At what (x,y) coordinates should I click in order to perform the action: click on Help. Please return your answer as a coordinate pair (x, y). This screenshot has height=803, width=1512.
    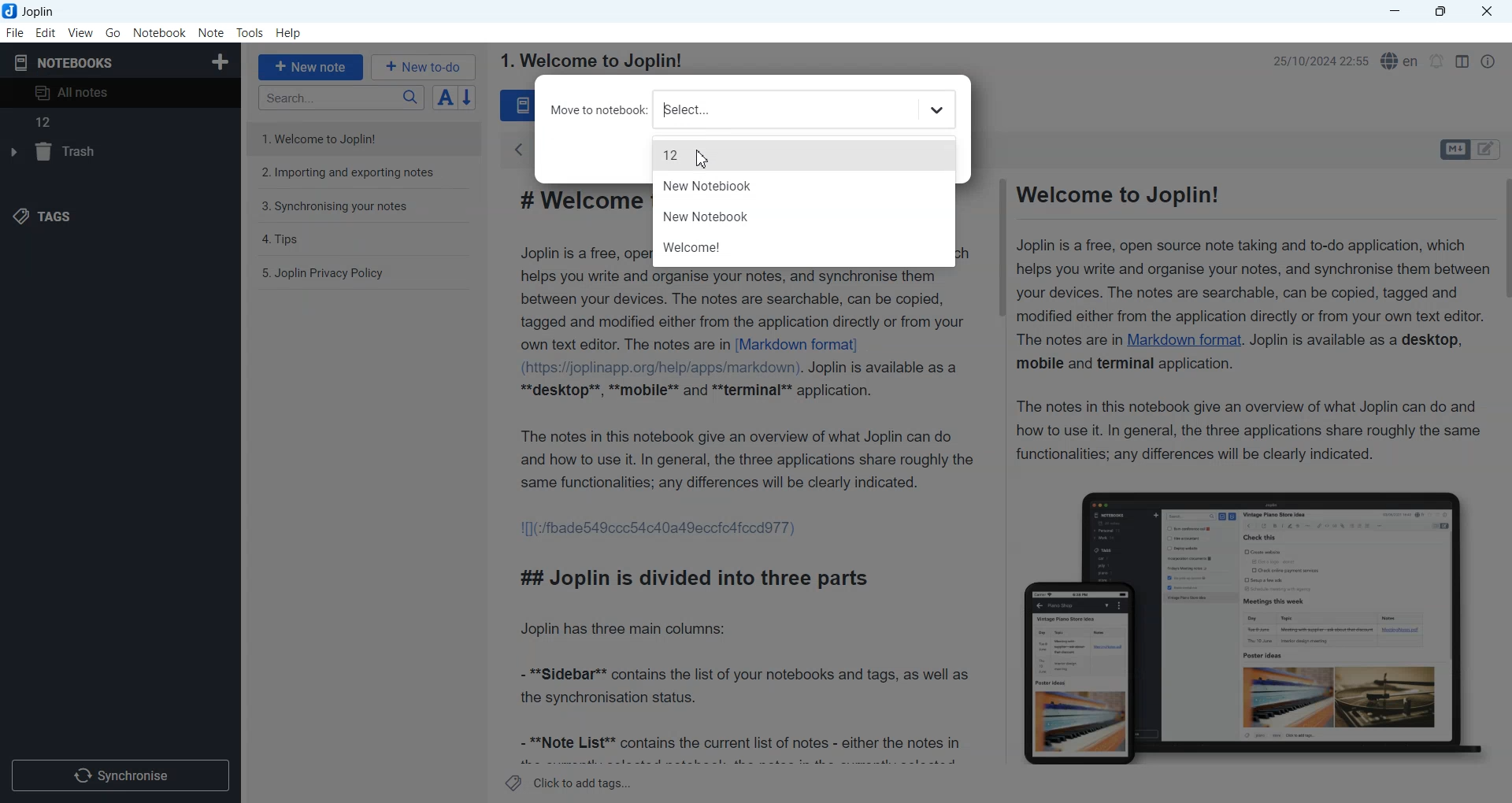
    Looking at the image, I should click on (290, 34).